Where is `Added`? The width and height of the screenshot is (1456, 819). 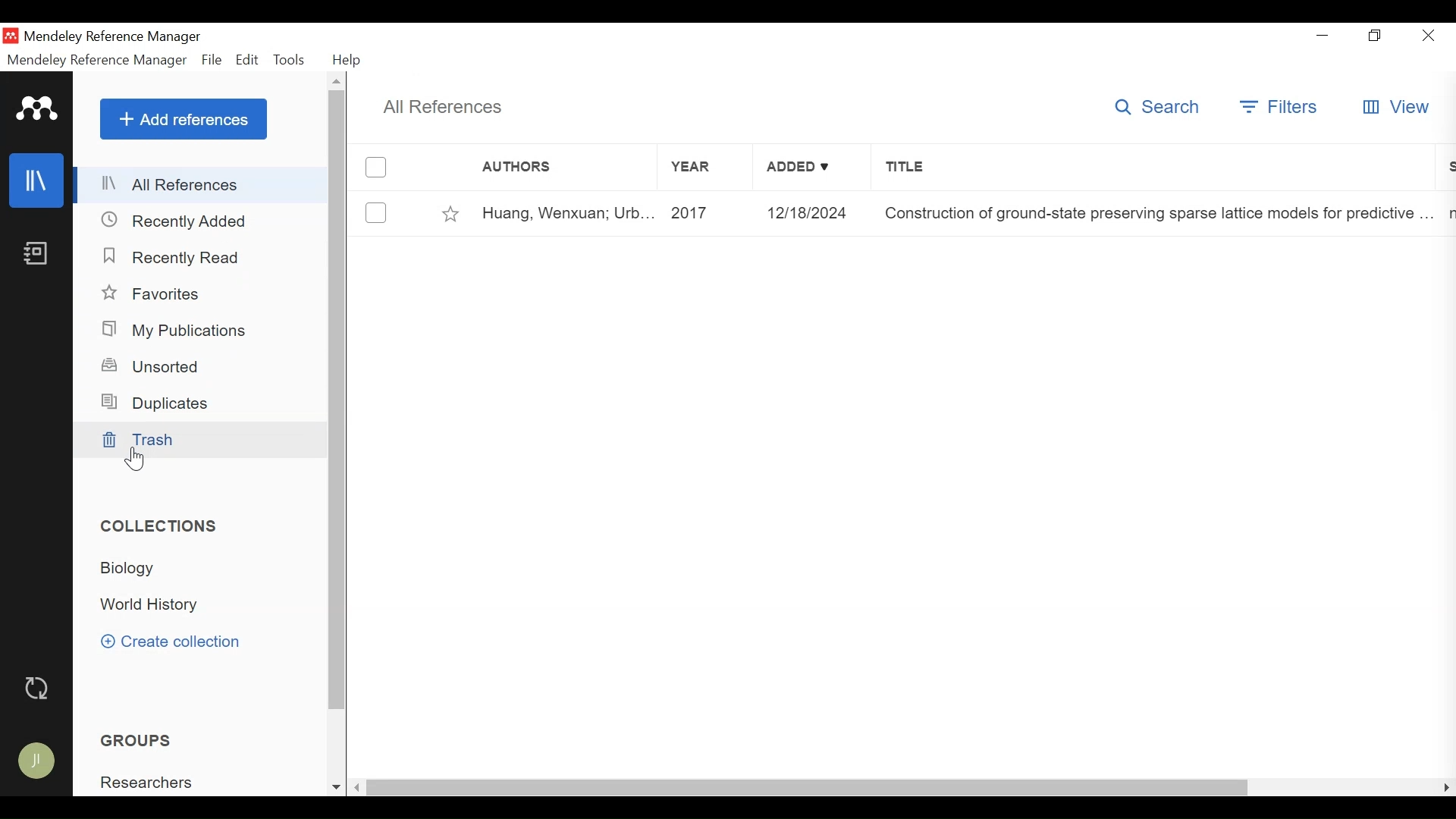 Added is located at coordinates (811, 169).